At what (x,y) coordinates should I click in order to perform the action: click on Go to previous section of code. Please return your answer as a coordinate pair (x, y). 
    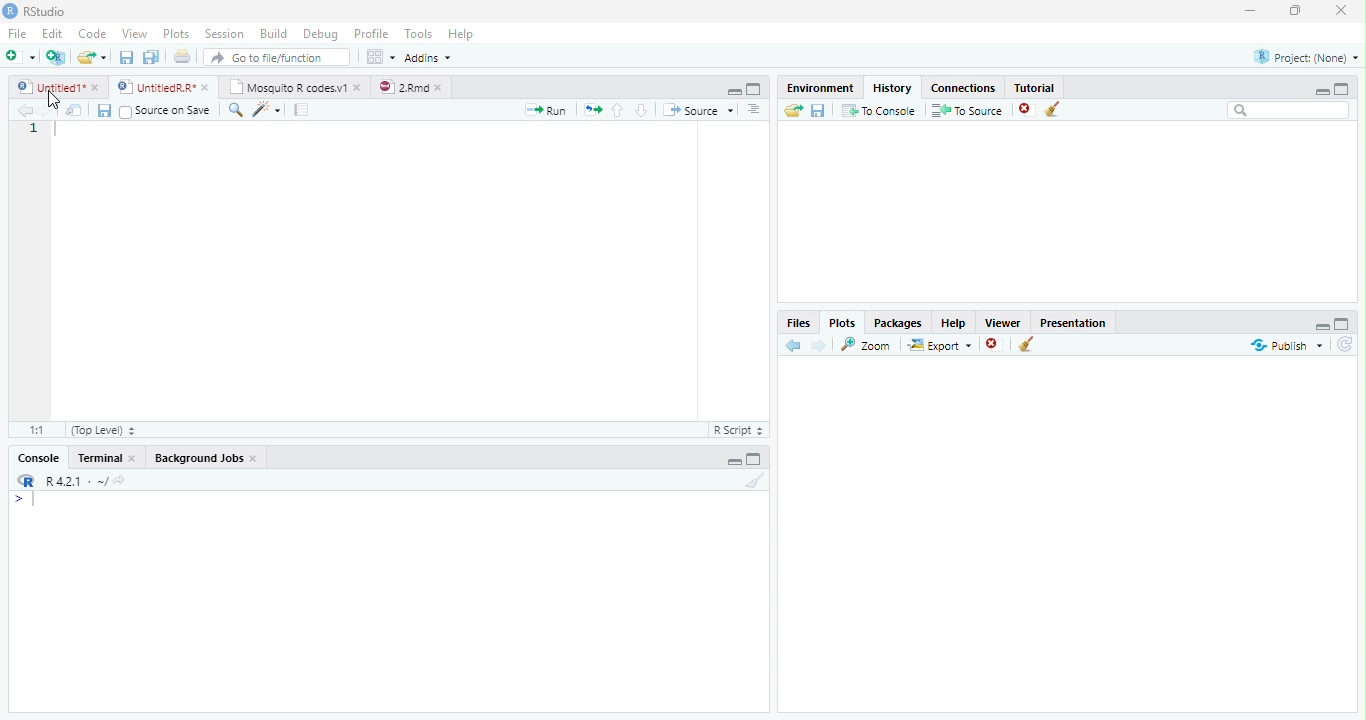
    Looking at the image, I should click on (619, 111).